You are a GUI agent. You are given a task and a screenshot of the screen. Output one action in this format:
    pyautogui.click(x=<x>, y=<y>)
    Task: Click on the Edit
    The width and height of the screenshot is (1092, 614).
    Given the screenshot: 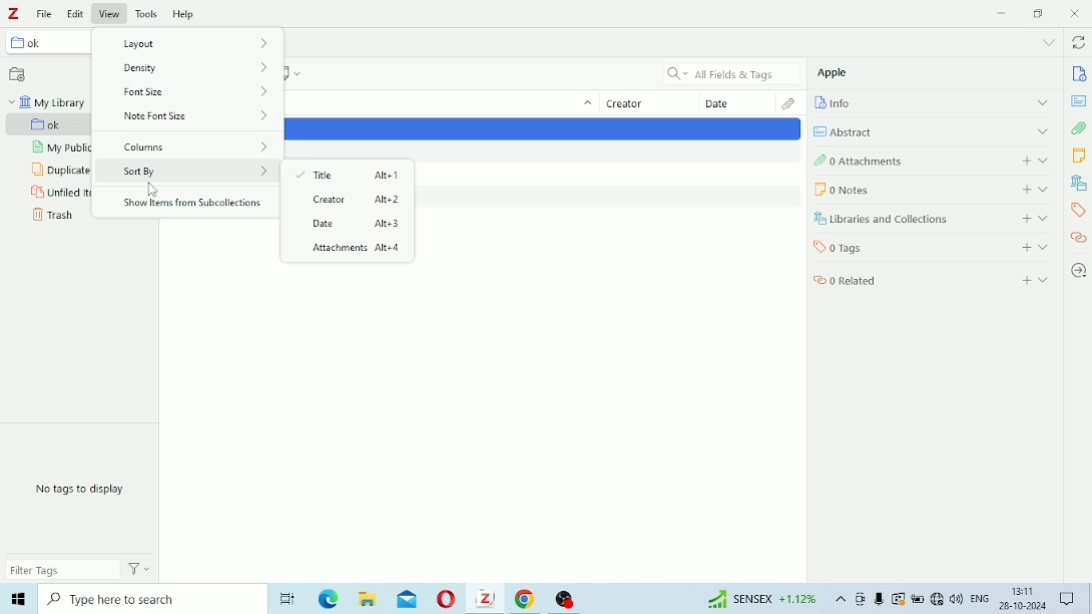 What is the action you would take?
    pyautogui.click(x=77, y=11)
    